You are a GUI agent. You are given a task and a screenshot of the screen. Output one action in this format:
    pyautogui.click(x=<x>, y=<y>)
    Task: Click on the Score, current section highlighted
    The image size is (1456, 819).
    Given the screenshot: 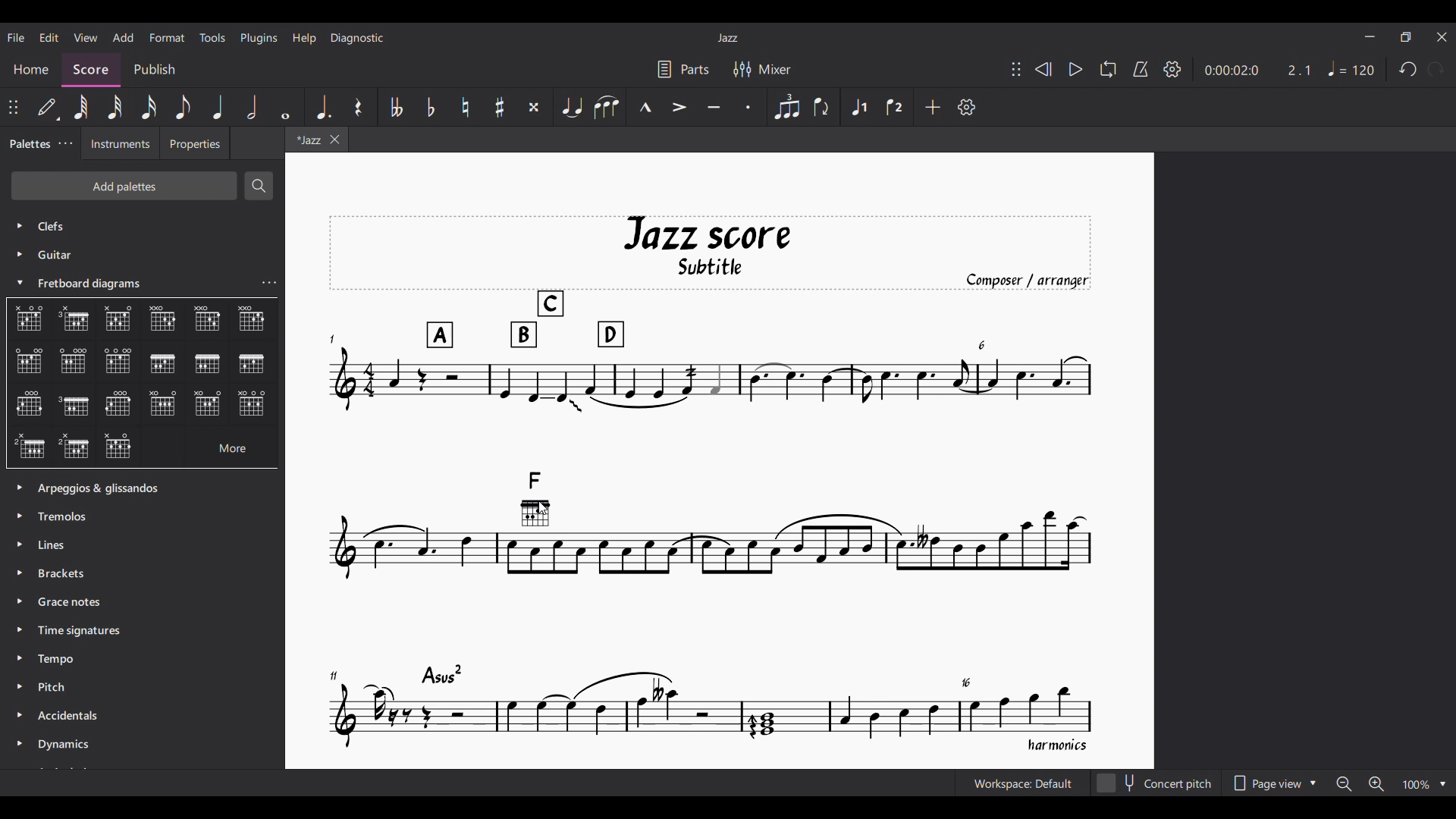 What is the action you would take?
    pyautogui.click(x=90, y=67)
    